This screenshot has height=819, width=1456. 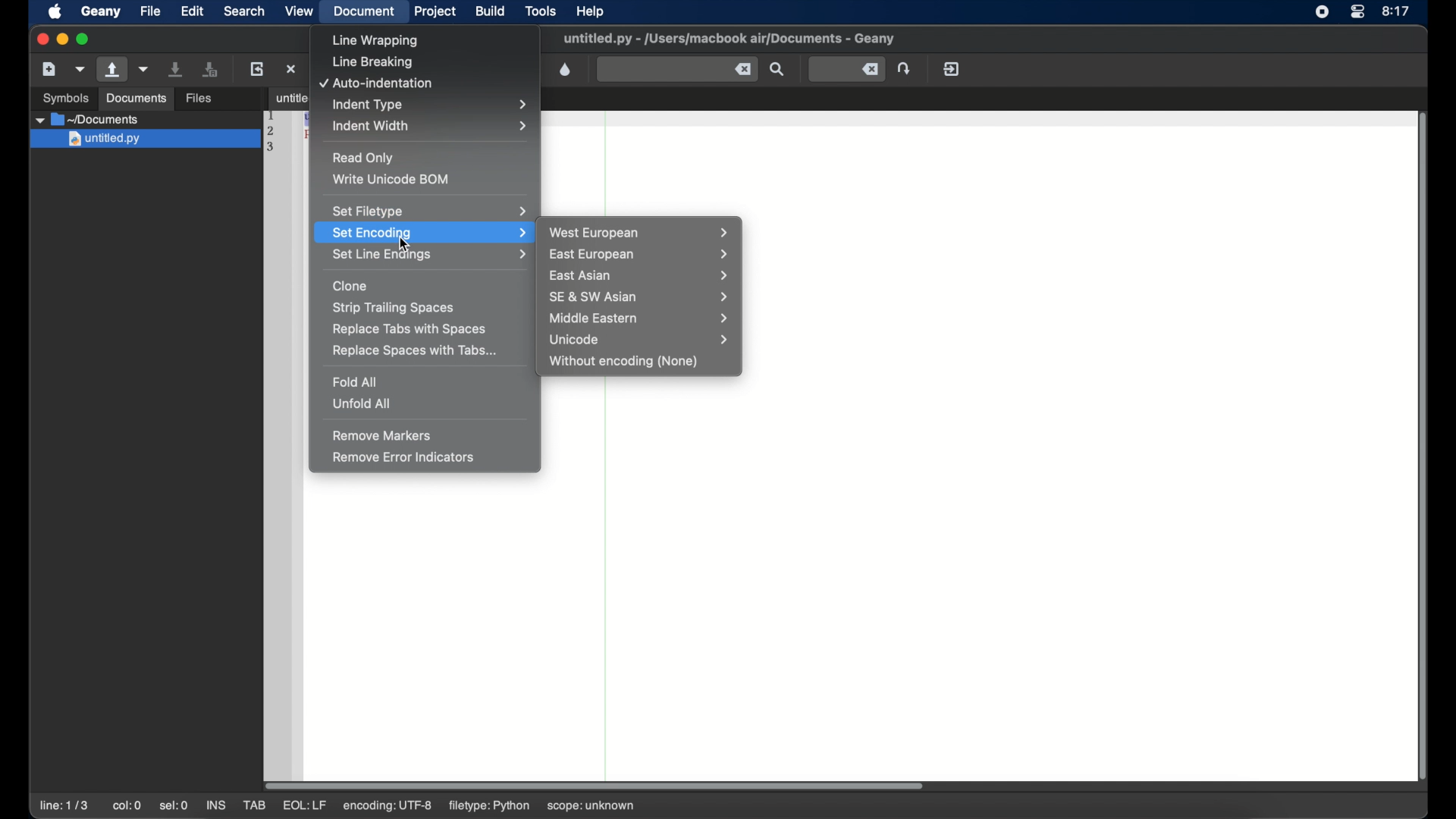 What do you see at coordinates (433, 105) in the screenshot?
I see `indent type menu` at bounding box center [433, 105].